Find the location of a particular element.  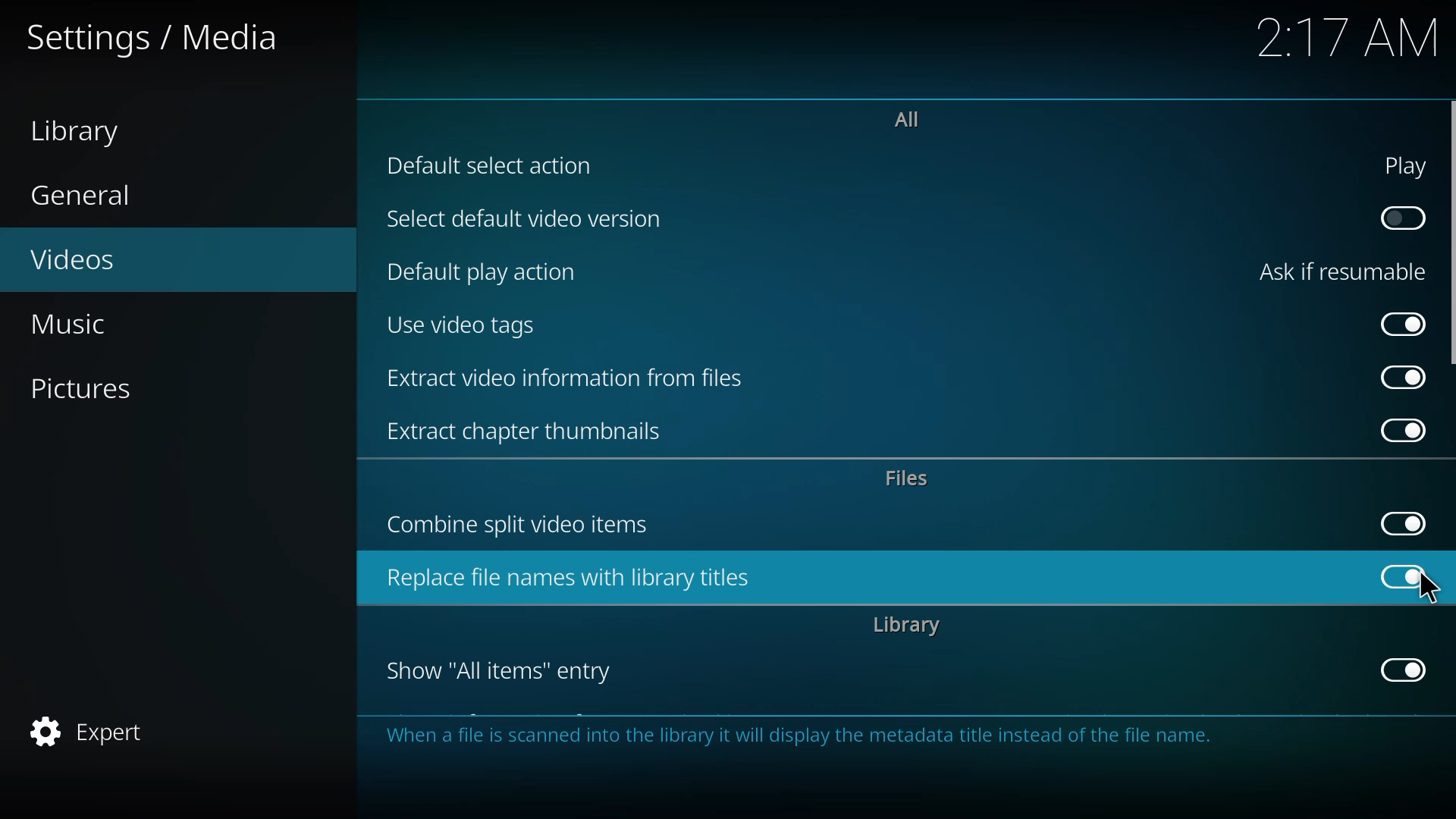

use video tags is located at coordinates (466, 326).